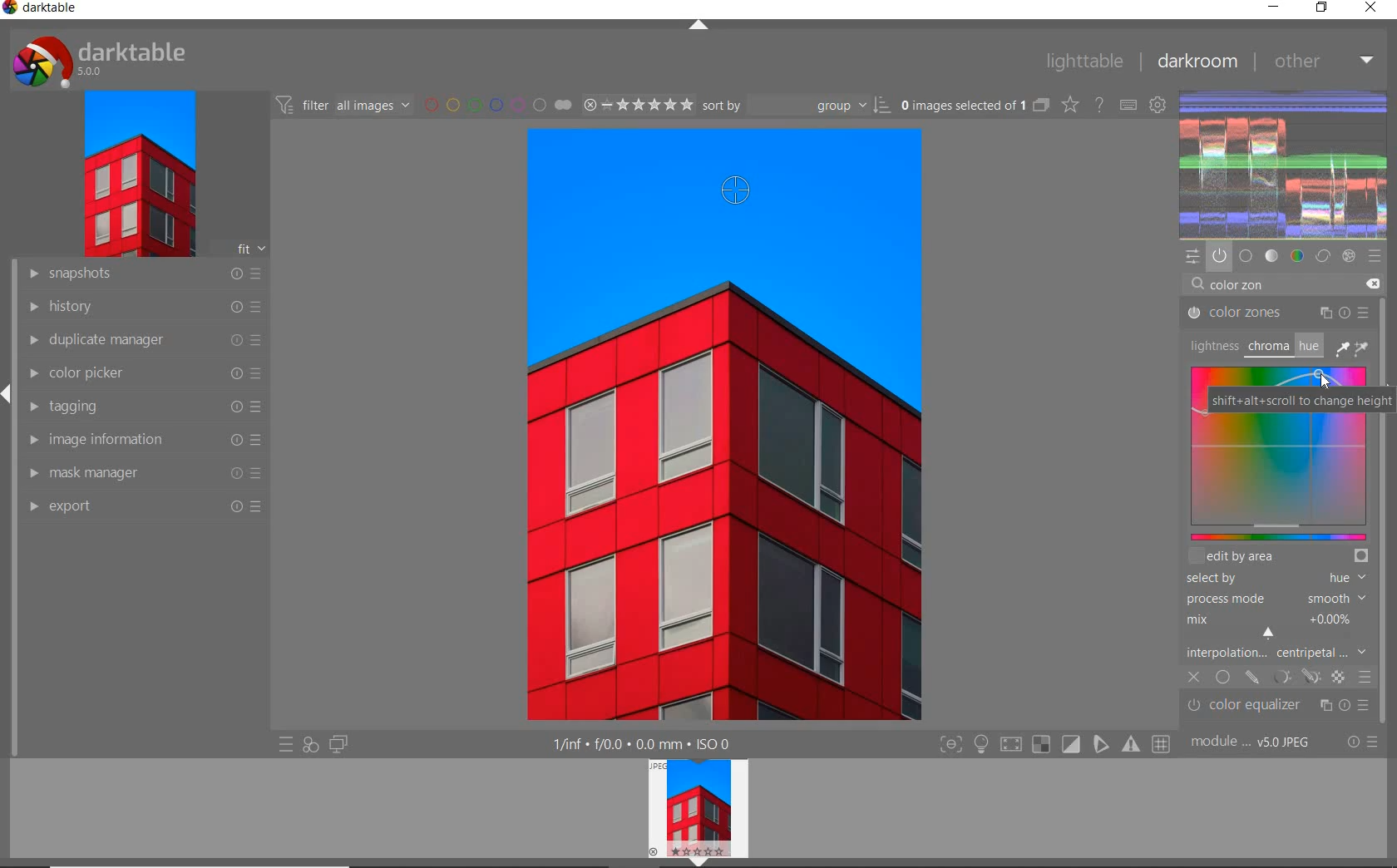  I want to click on reset or presets & preferences, so click(1362, 743).